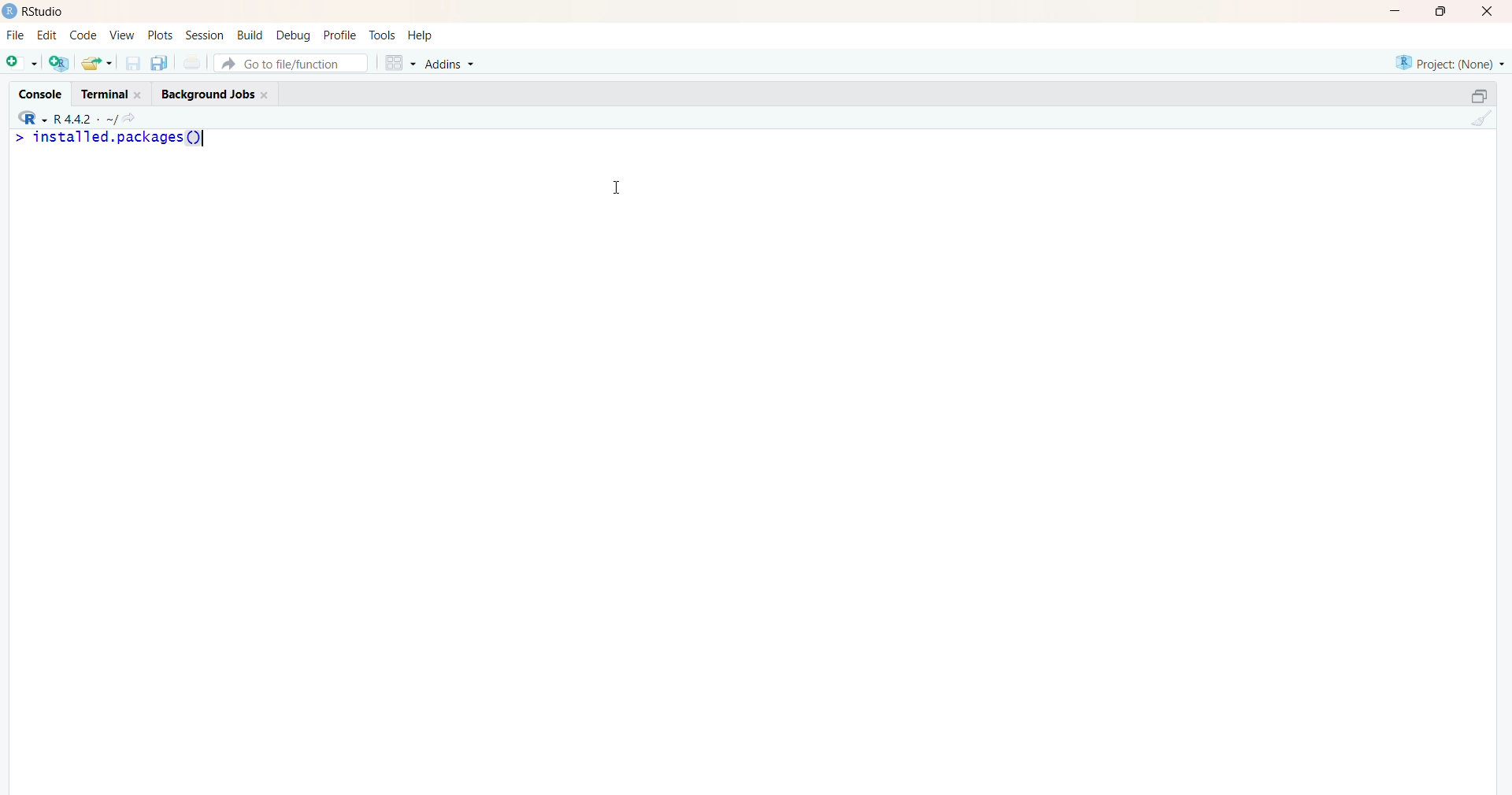  What do you see at coordinates (1491, 10) in the screenshot?
I see `close` at bounding box center [1491, 10].